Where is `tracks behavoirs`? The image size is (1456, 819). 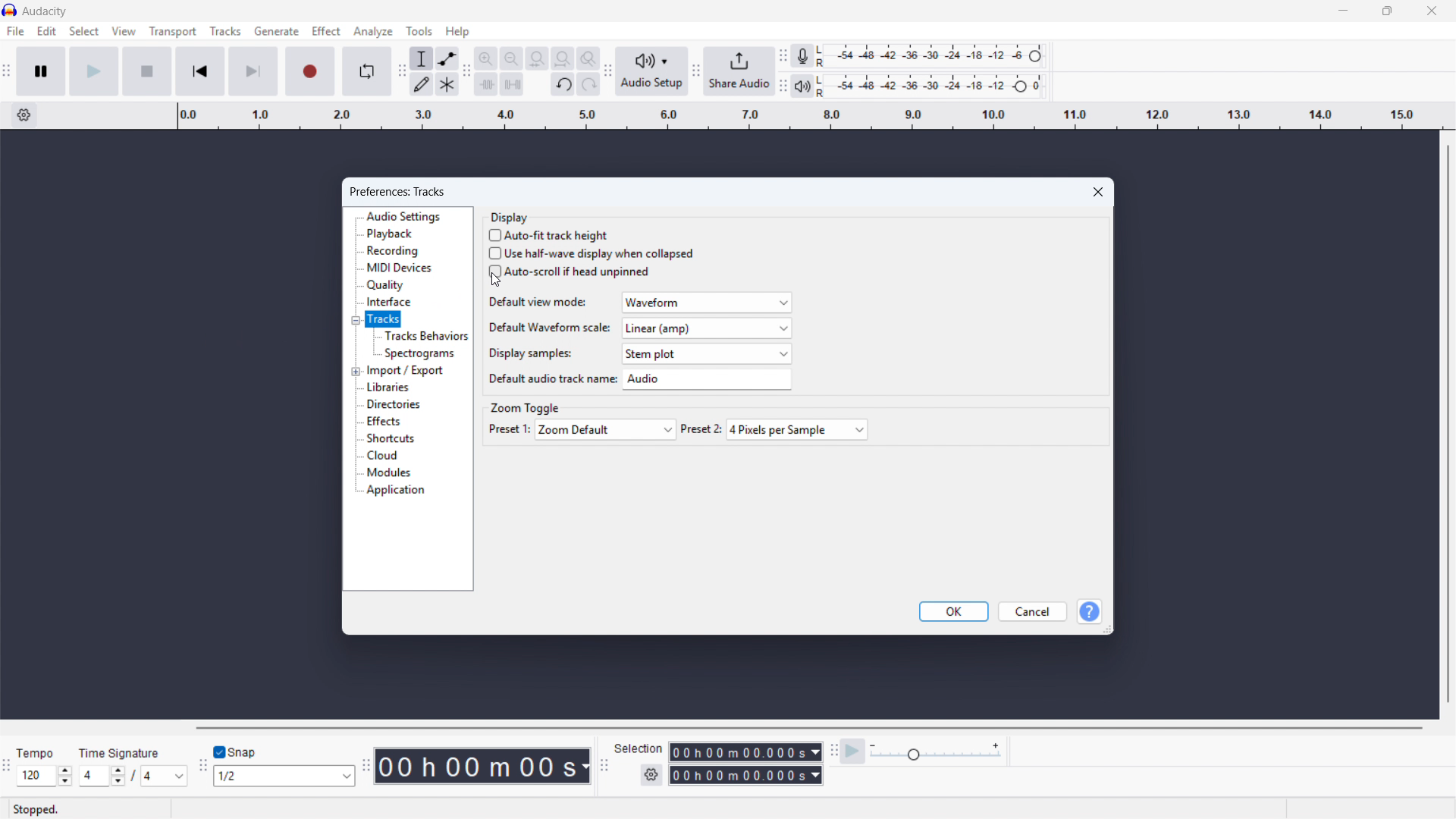
tracks behavoirs is located at coordinates (425, 335).